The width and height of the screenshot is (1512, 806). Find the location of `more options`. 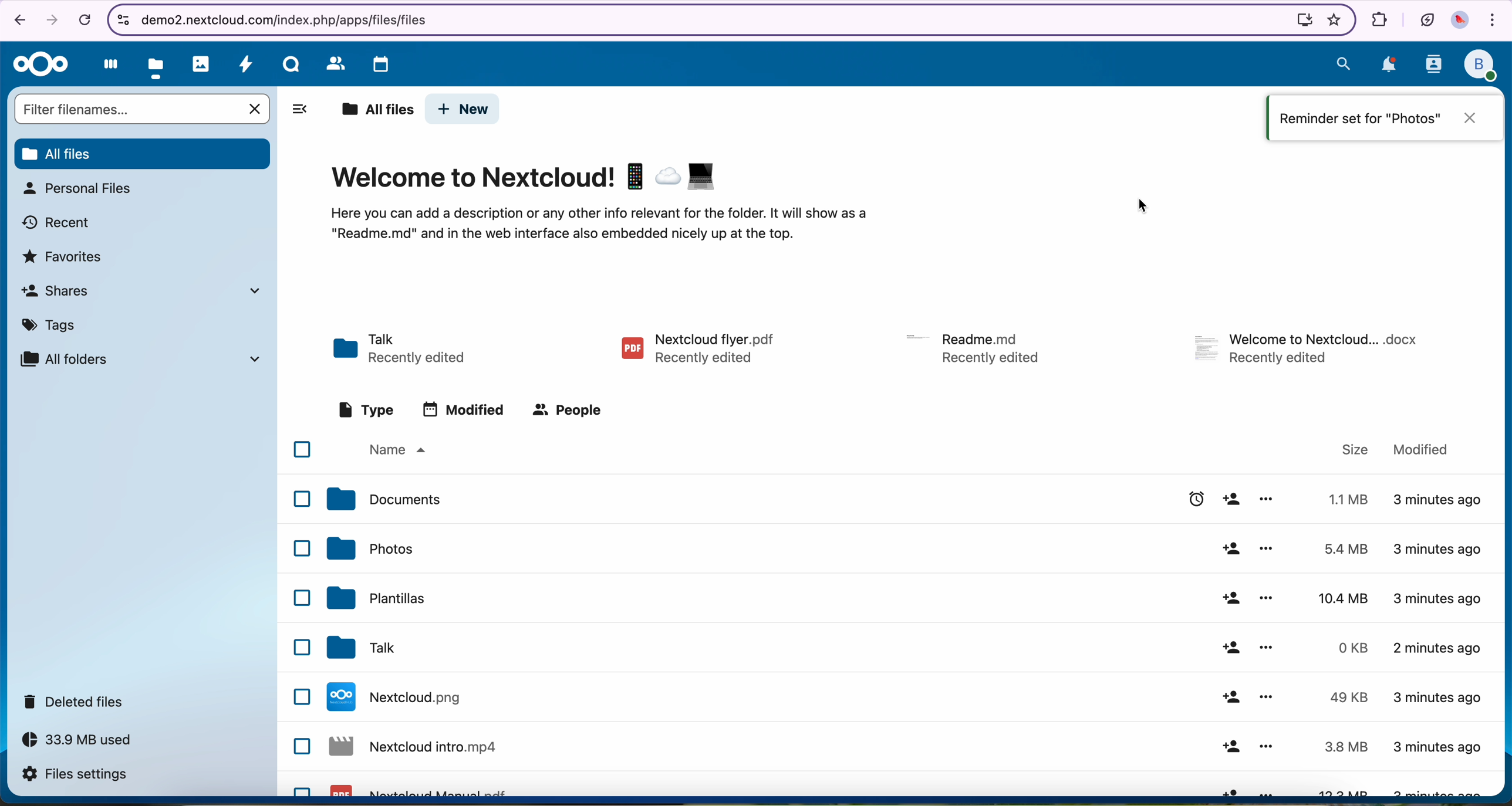

more options is located at coordinates (1268, 600).